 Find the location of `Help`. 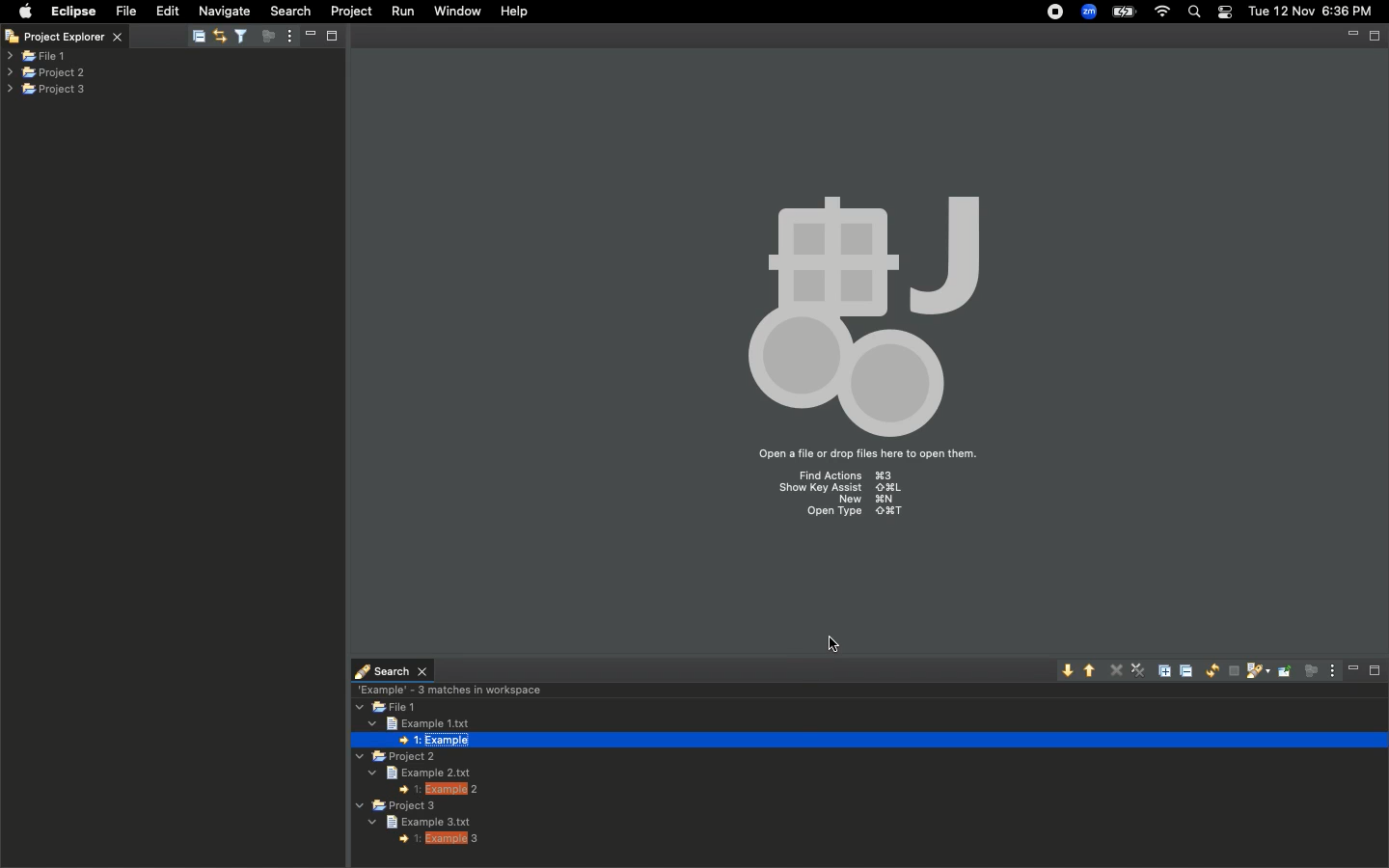

Help is located at coordinates (516, 12).